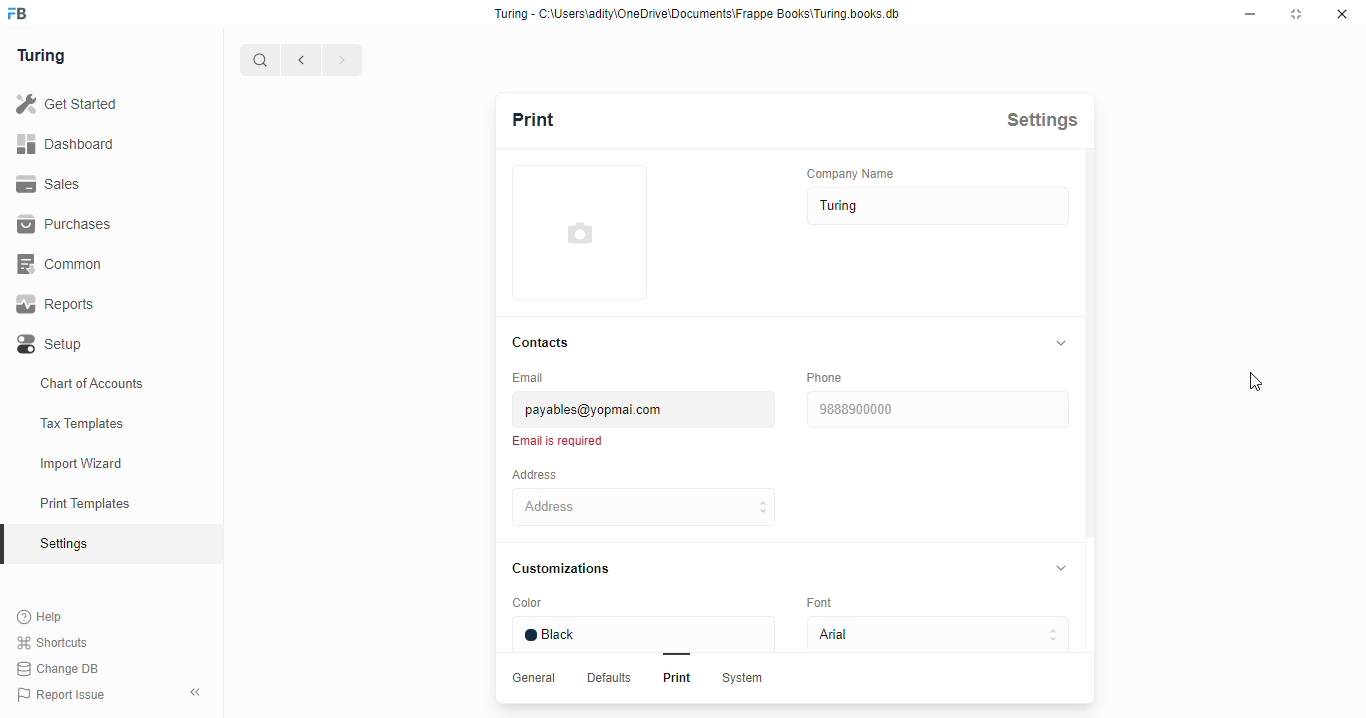  Describe the element at coordinates (261, 60) in the screenshot. I see `search` at that location.